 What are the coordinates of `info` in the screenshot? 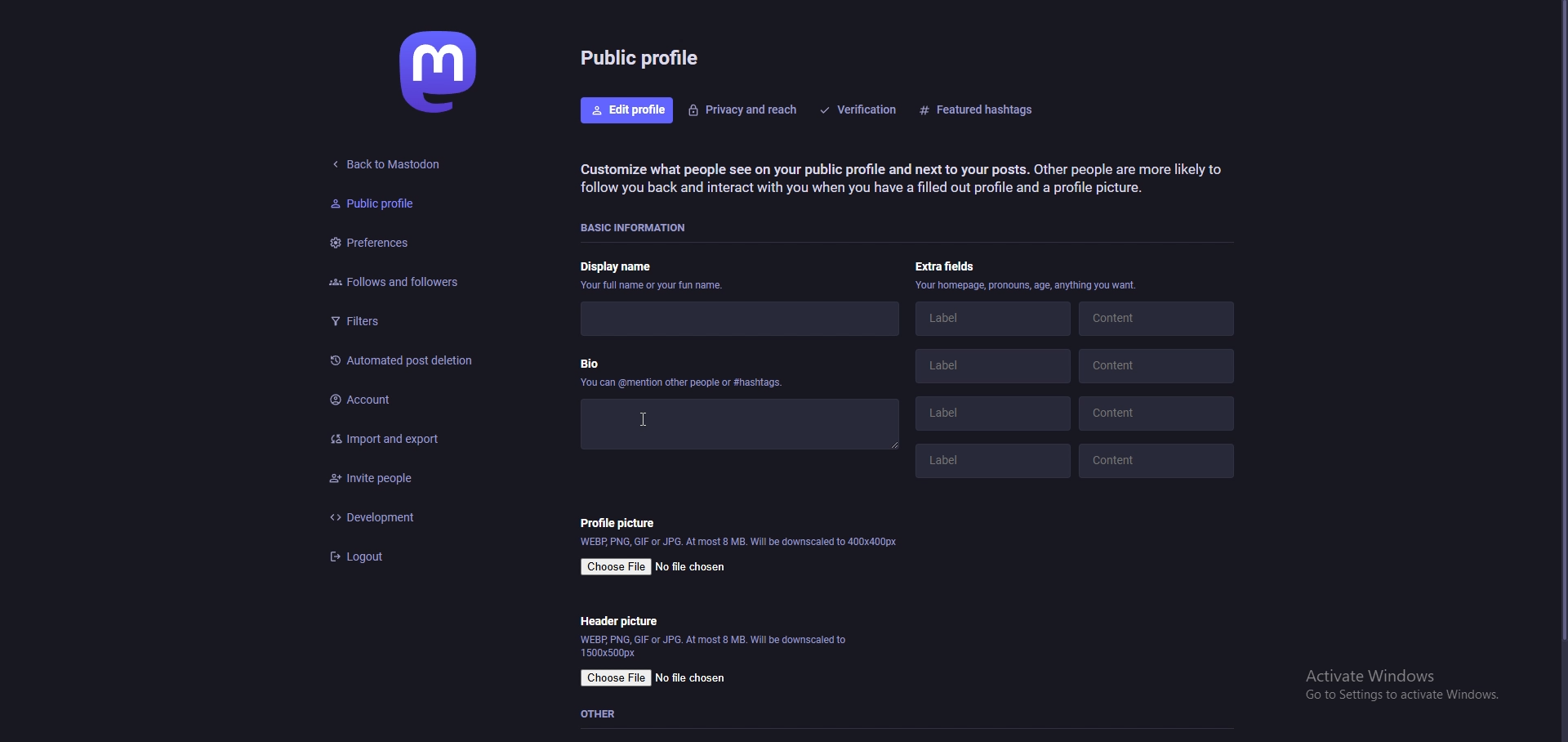 It's located at (716, 645).